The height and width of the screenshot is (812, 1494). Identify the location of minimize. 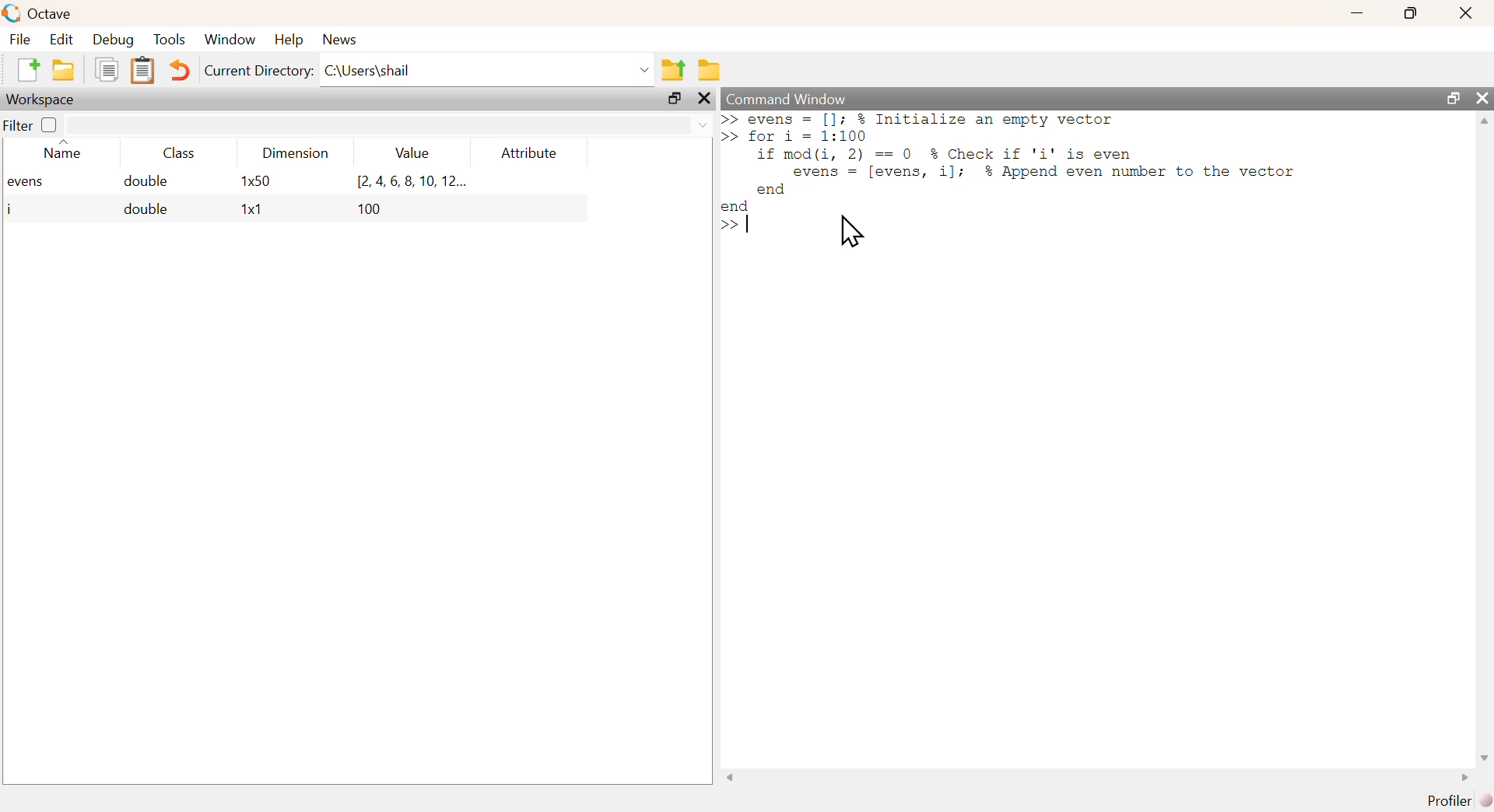
(1355, 14).